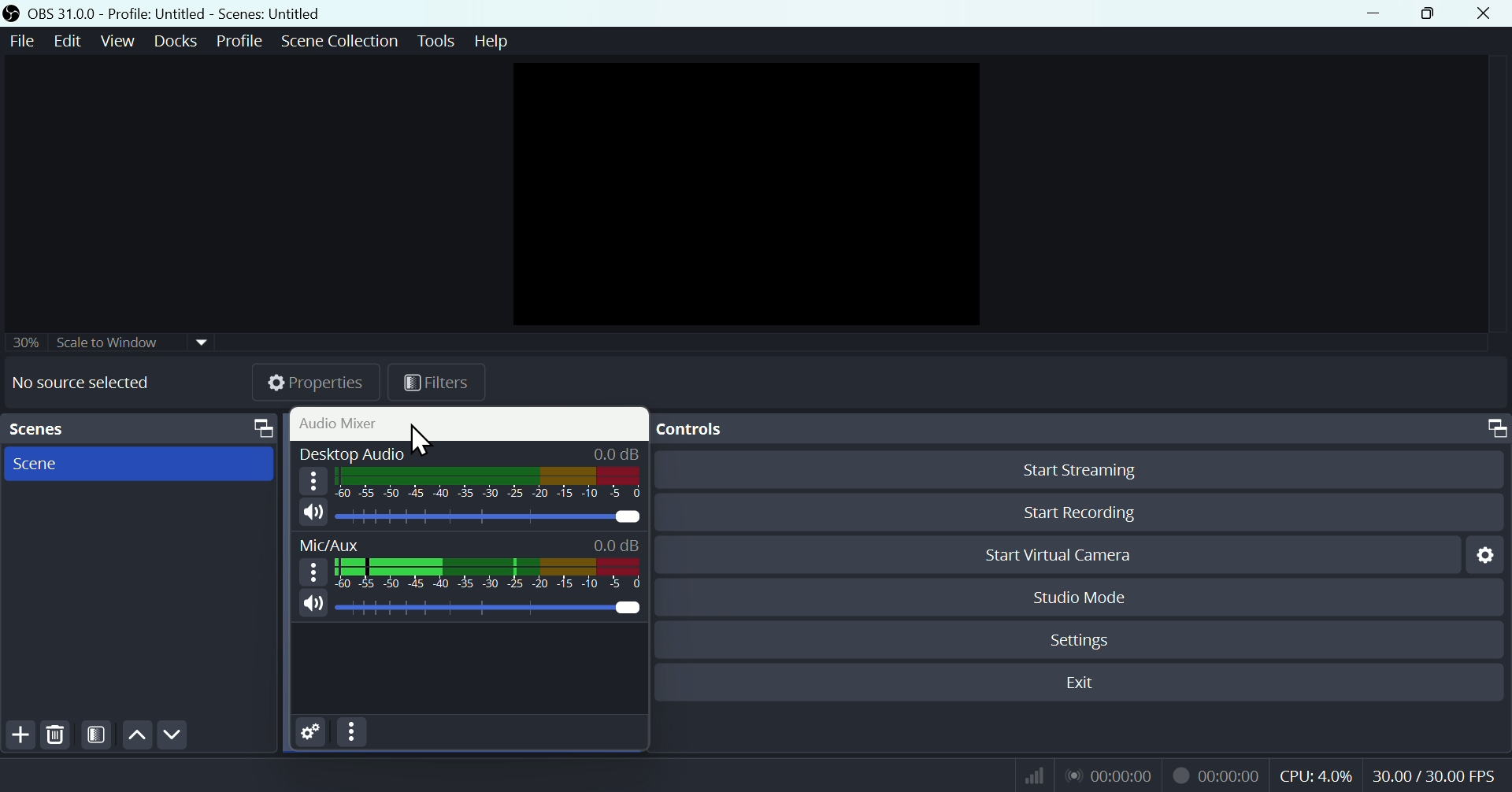 This screenshot has height=792, width=1512. Describe the element at coordinates (354, 733) in the screenshot. I see `More options` at that location.